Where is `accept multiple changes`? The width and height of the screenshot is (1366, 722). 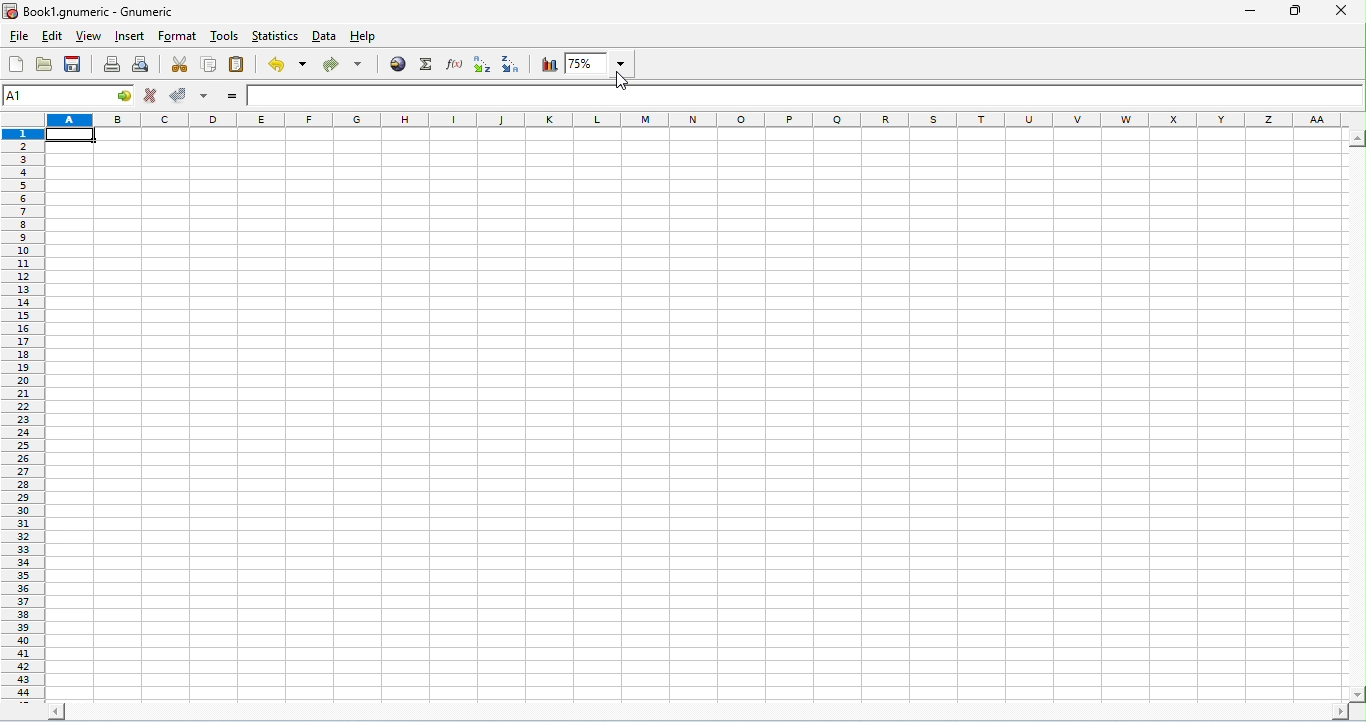 accept multiple changes is located at coordinates (205, 97).